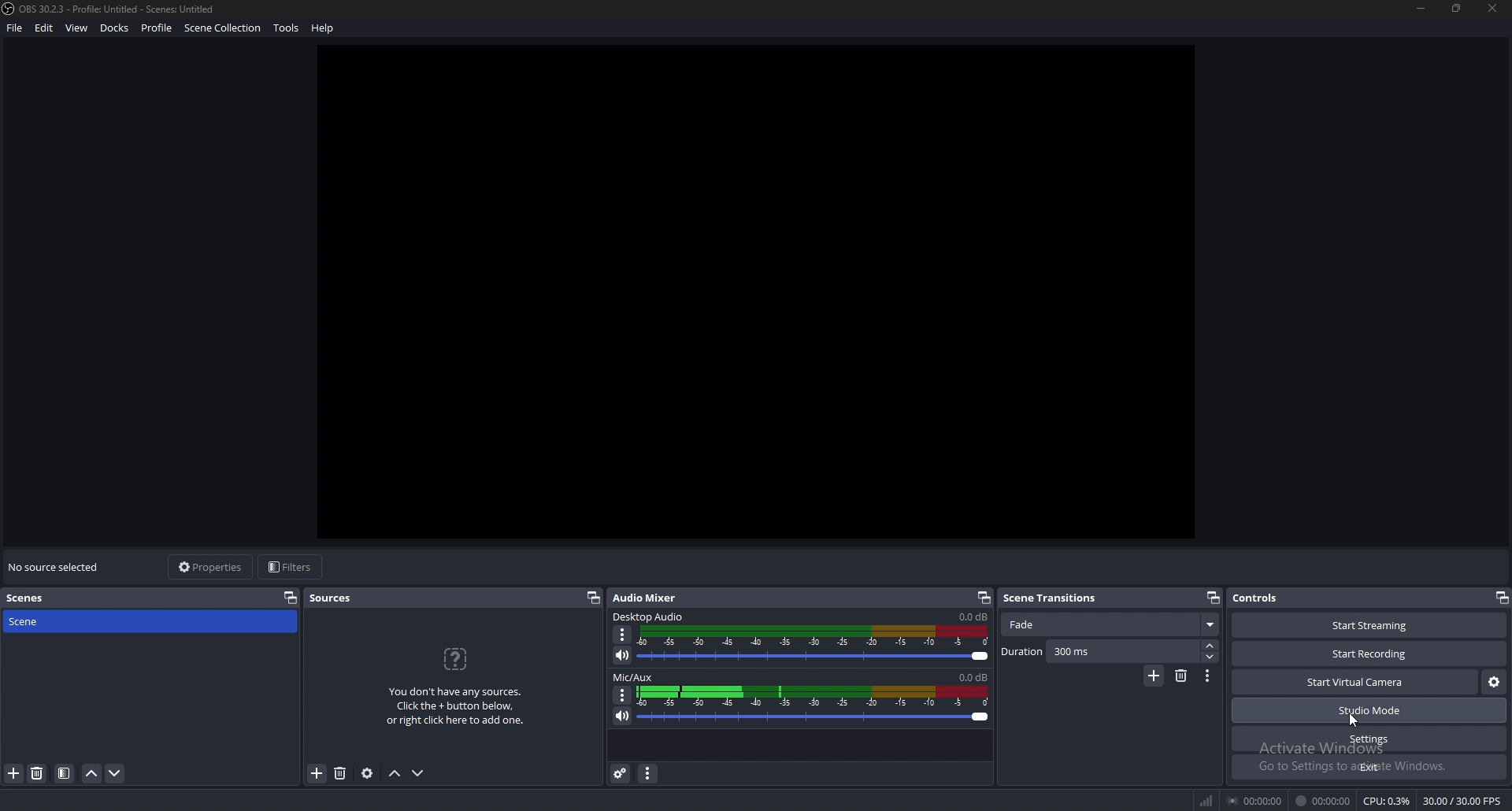 This screenshot has height=811, width=1512. Describe the element at coordinates (1279, 598) in the screenshot. I see `Controls` at that location.